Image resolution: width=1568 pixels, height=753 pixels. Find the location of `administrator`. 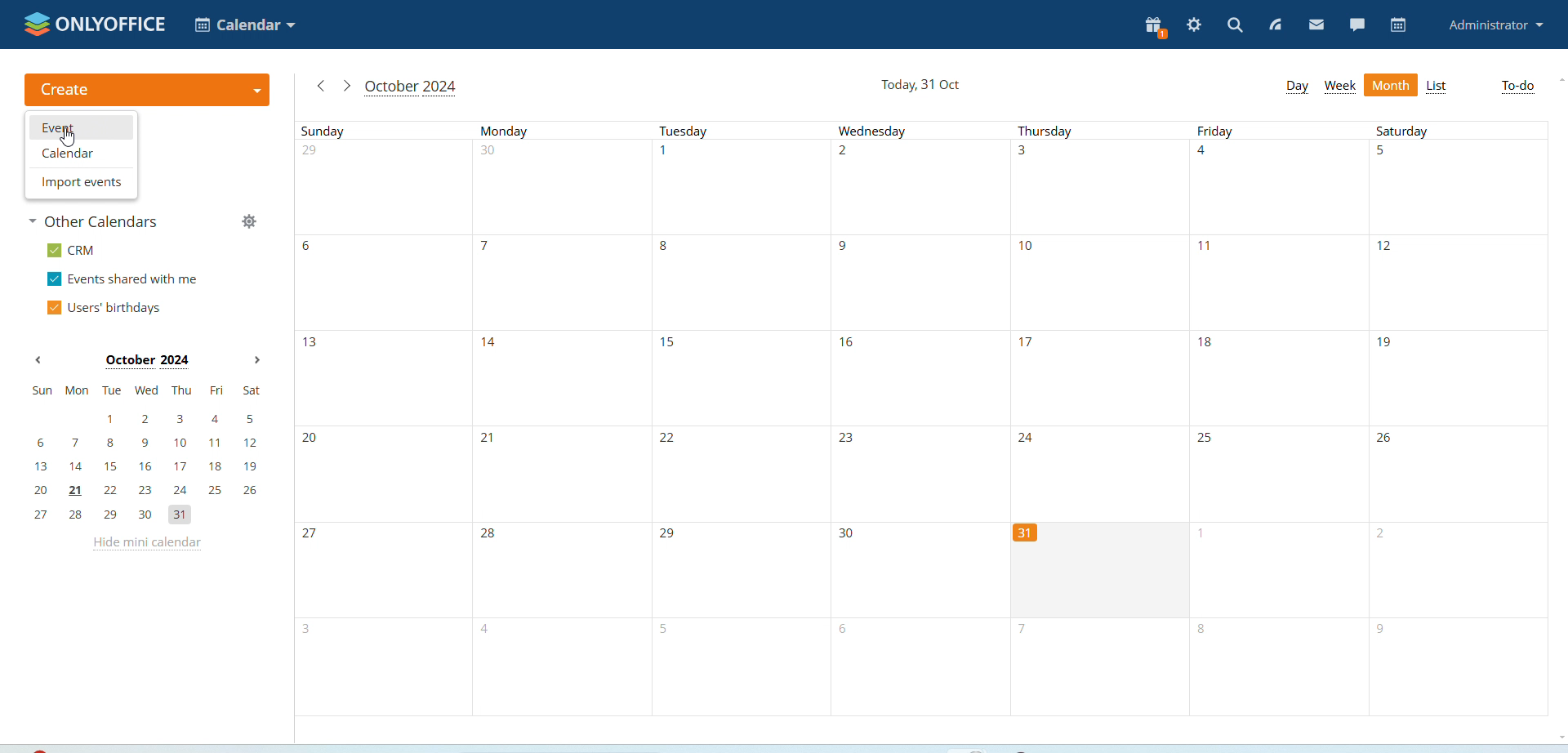

administrator is located at coordinates (1497, 25).